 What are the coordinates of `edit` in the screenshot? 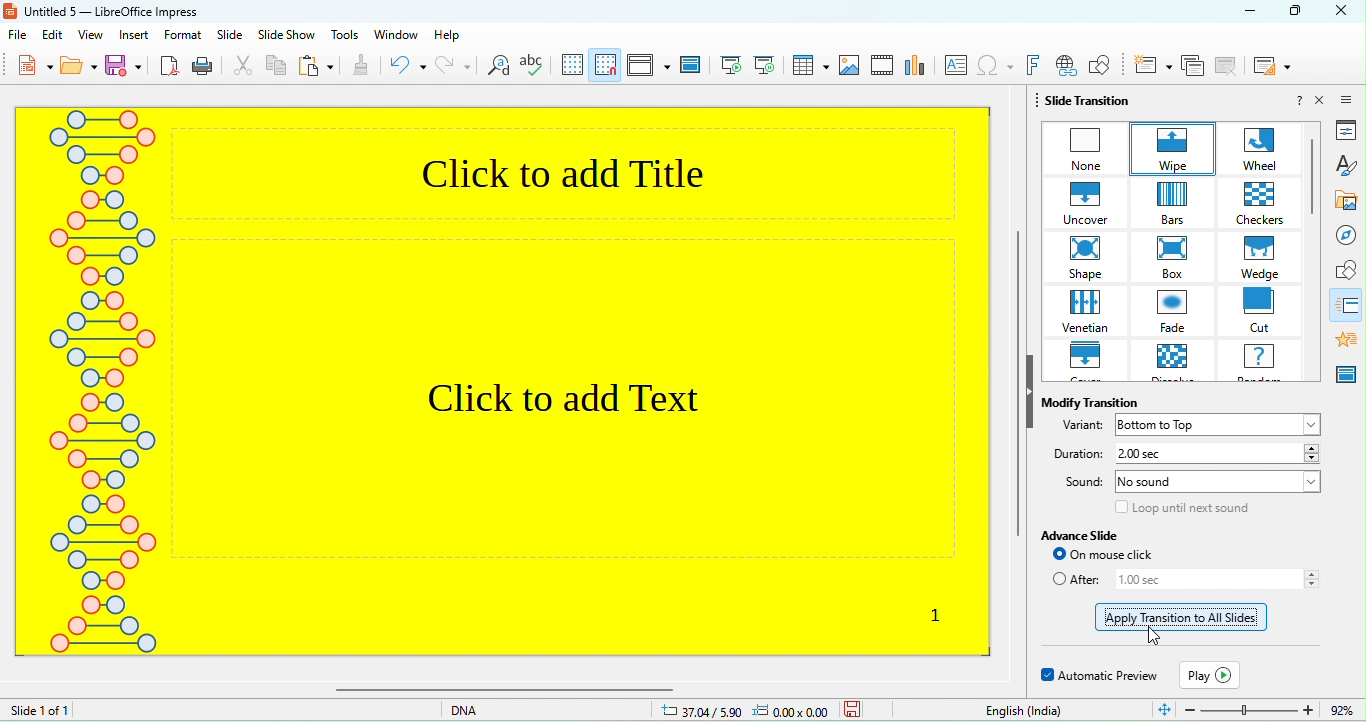 It's located at (52, 37).